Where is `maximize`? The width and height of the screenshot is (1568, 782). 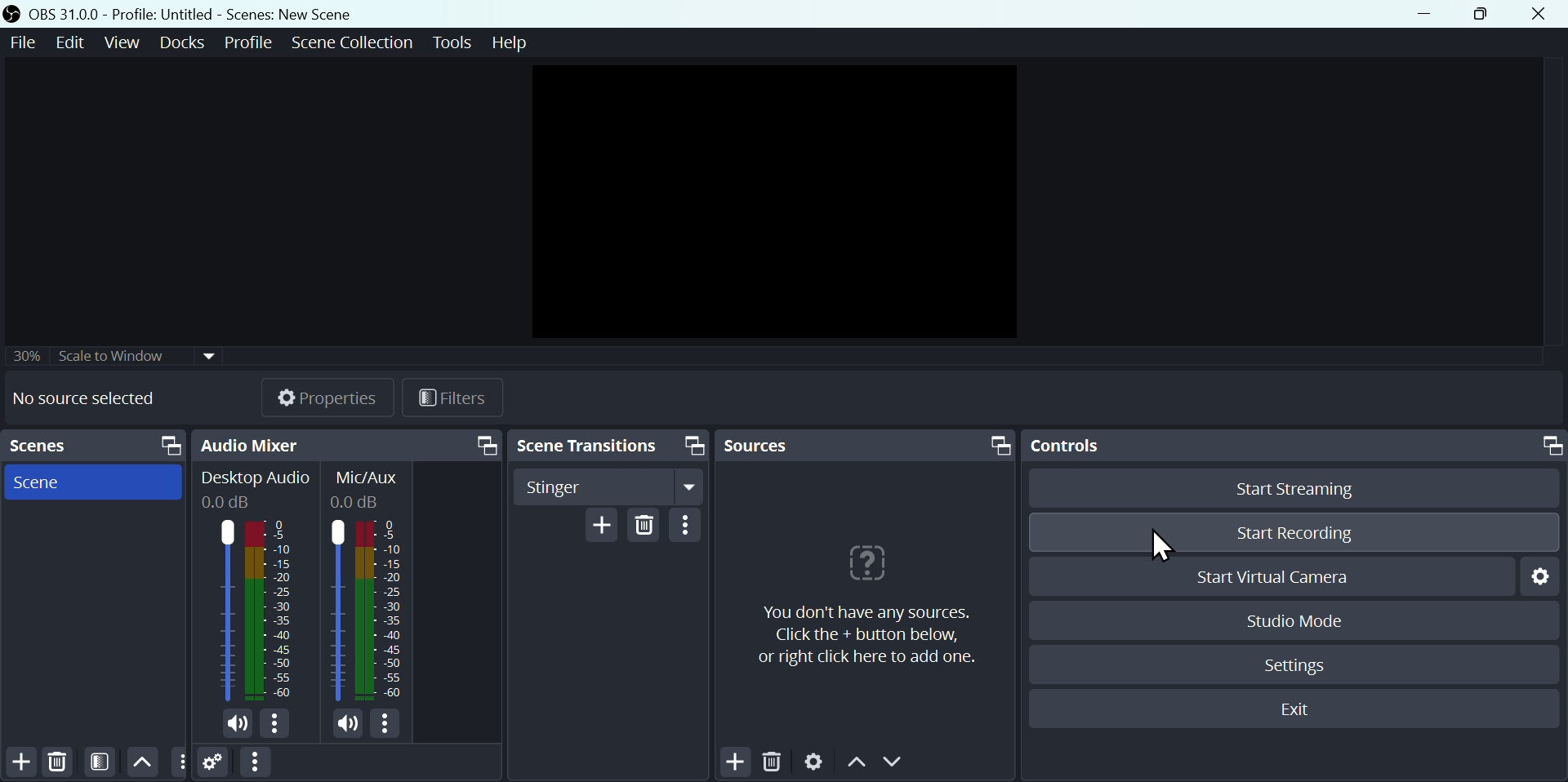
maximize is located at coordinates (1001, 445).